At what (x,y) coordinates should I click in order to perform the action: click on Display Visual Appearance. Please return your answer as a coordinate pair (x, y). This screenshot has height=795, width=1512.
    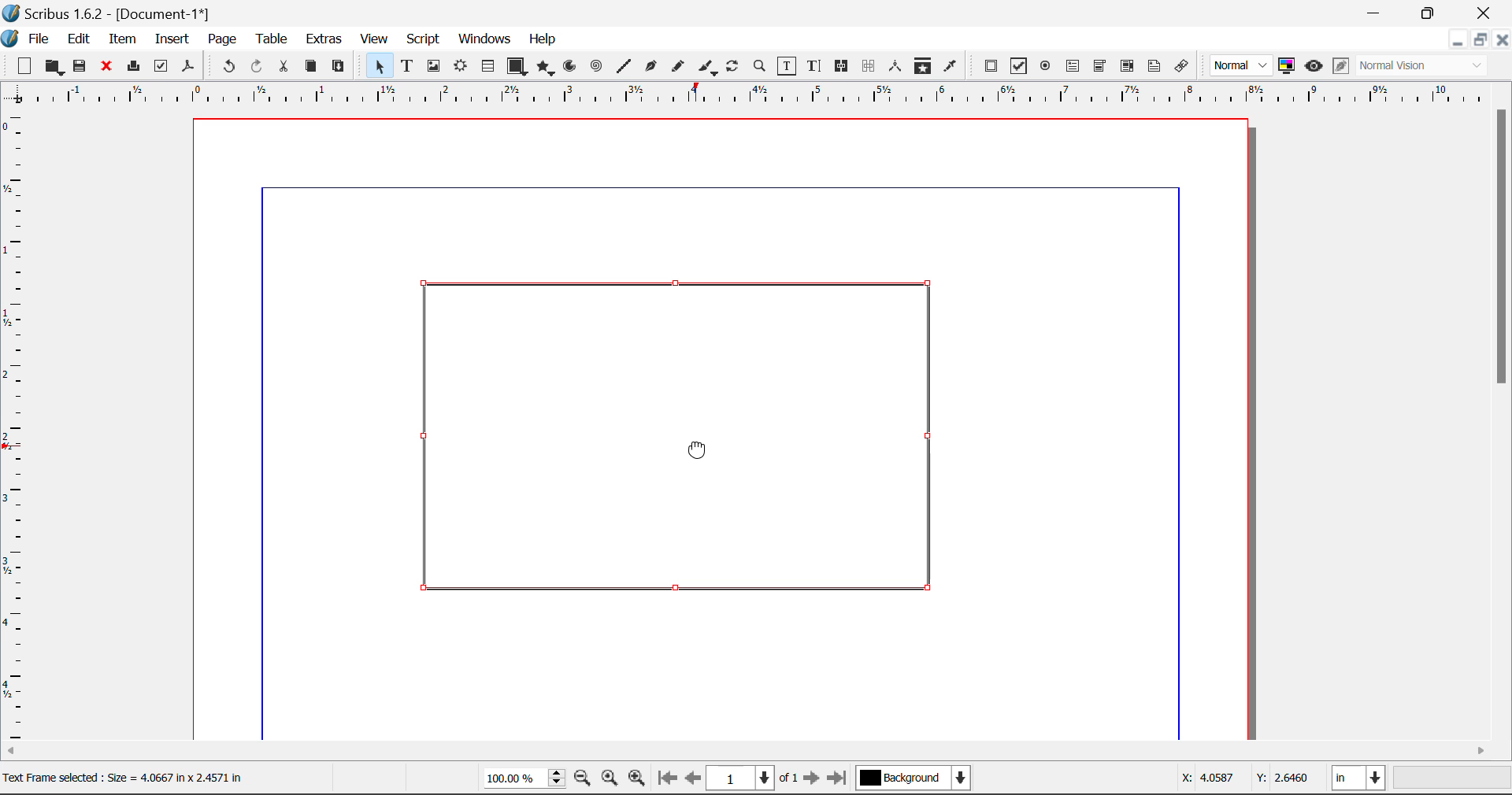
    Looking at the image, I should click on (1428, 66).